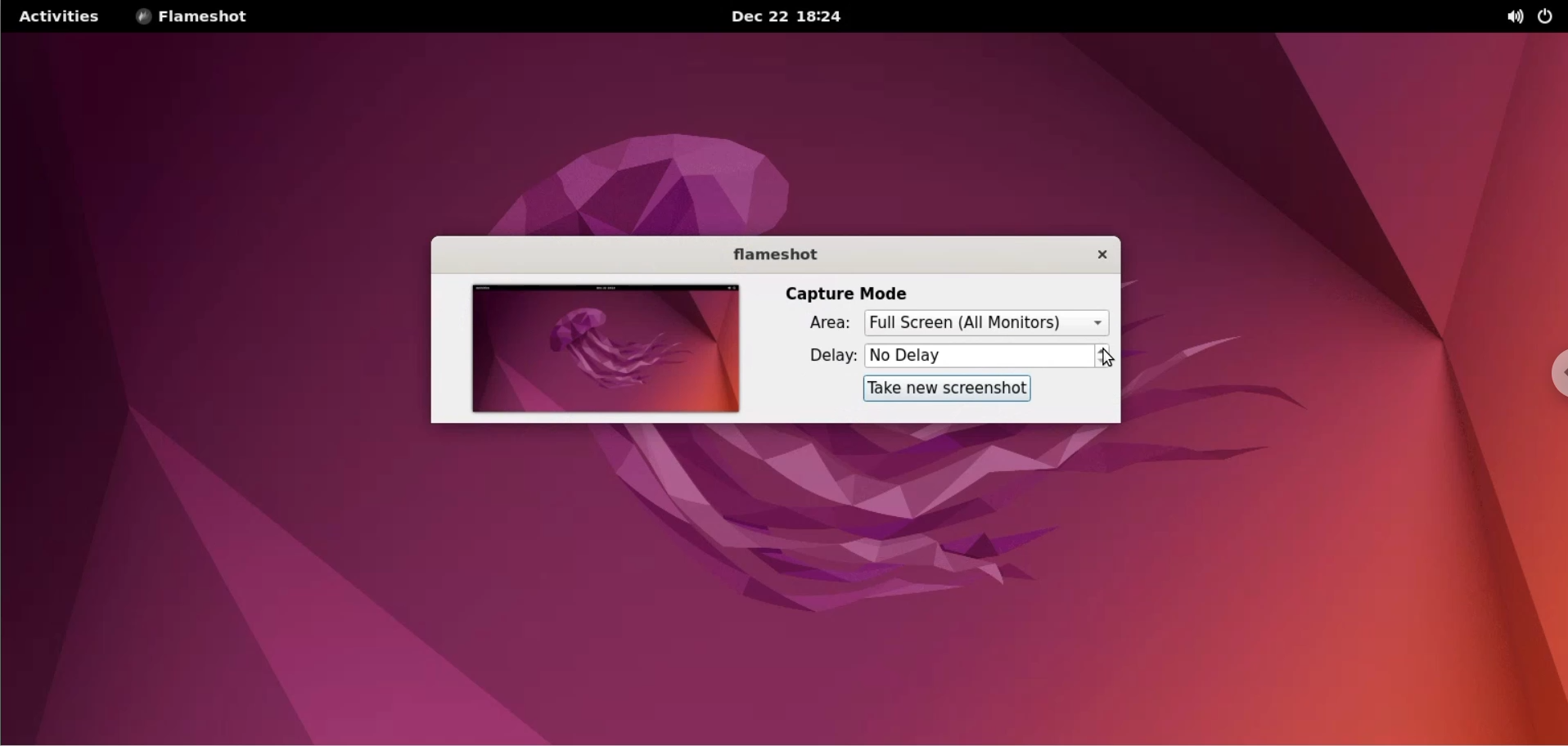  What do you see at coordinates (948, 389) in the screenshot?
I see `take new screenshot` at bounding box center [948, 389].